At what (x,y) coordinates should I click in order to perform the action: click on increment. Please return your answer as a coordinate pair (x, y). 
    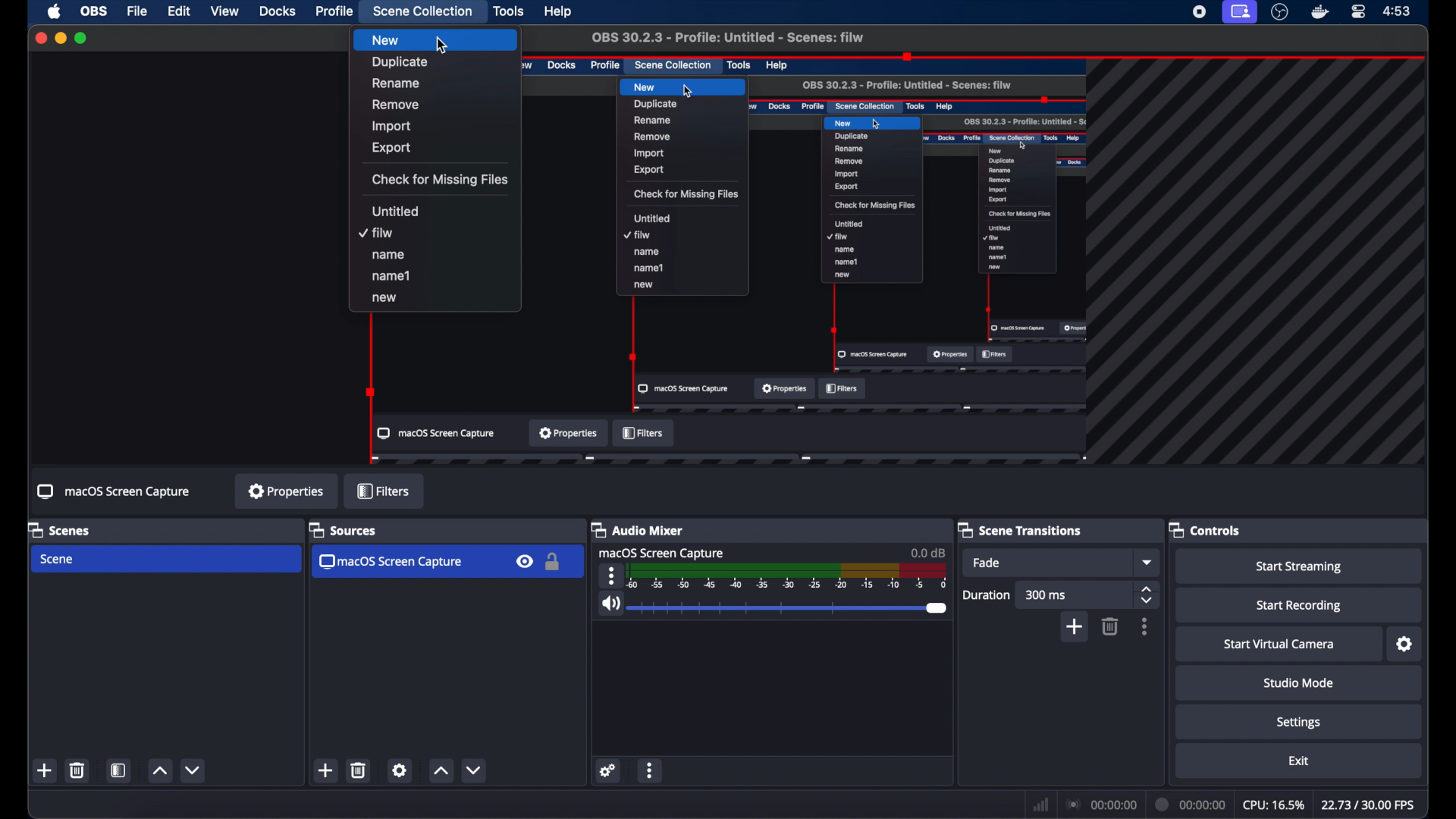
    Looking at the image, I should click on (159, 770).